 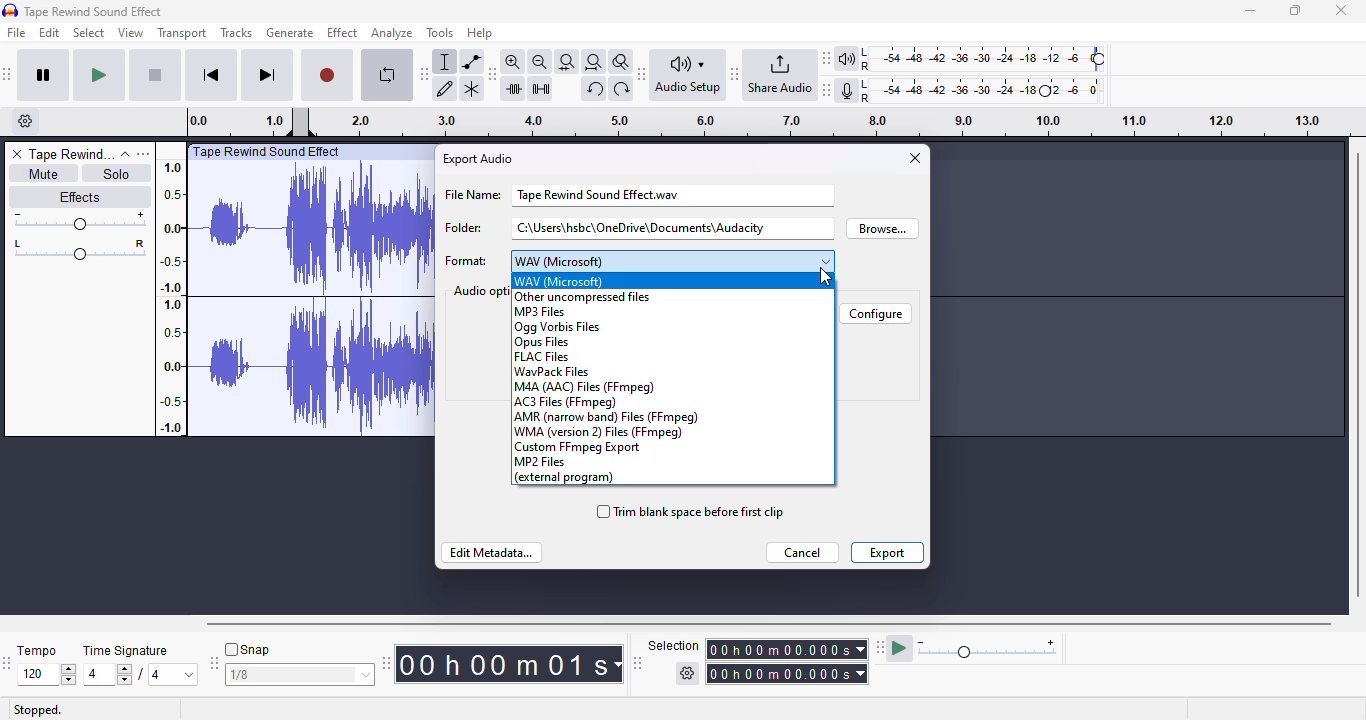 What do you see at coordinates (687, 512) in the screenshot?
I see `trim blank space before first clip` at bounding box center [687, 512].